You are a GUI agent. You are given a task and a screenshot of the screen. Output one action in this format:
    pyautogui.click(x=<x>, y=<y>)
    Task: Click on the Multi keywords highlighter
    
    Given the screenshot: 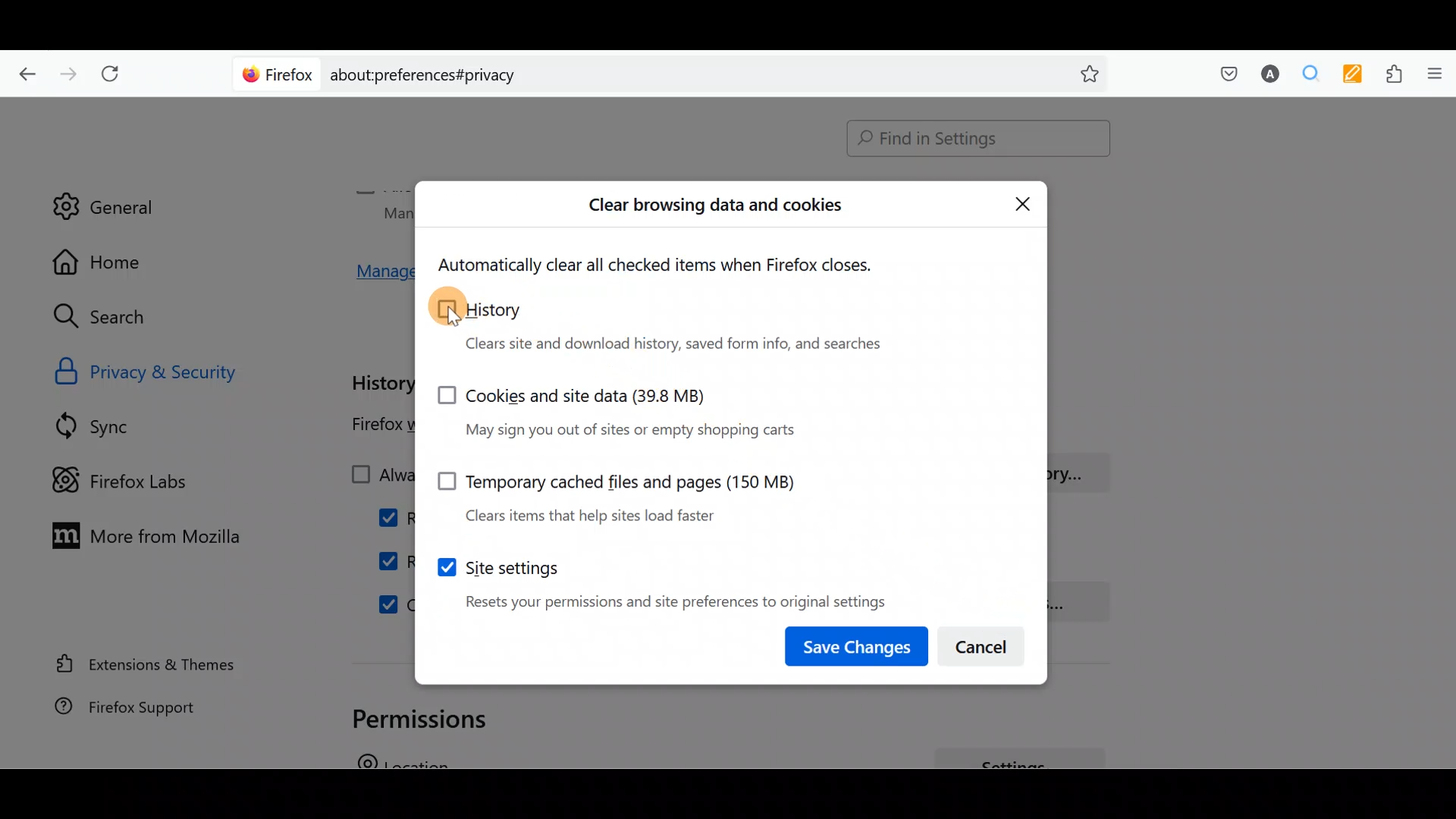 What is the action you would take?
    pyautogui.click(x=1348, y=76)
    